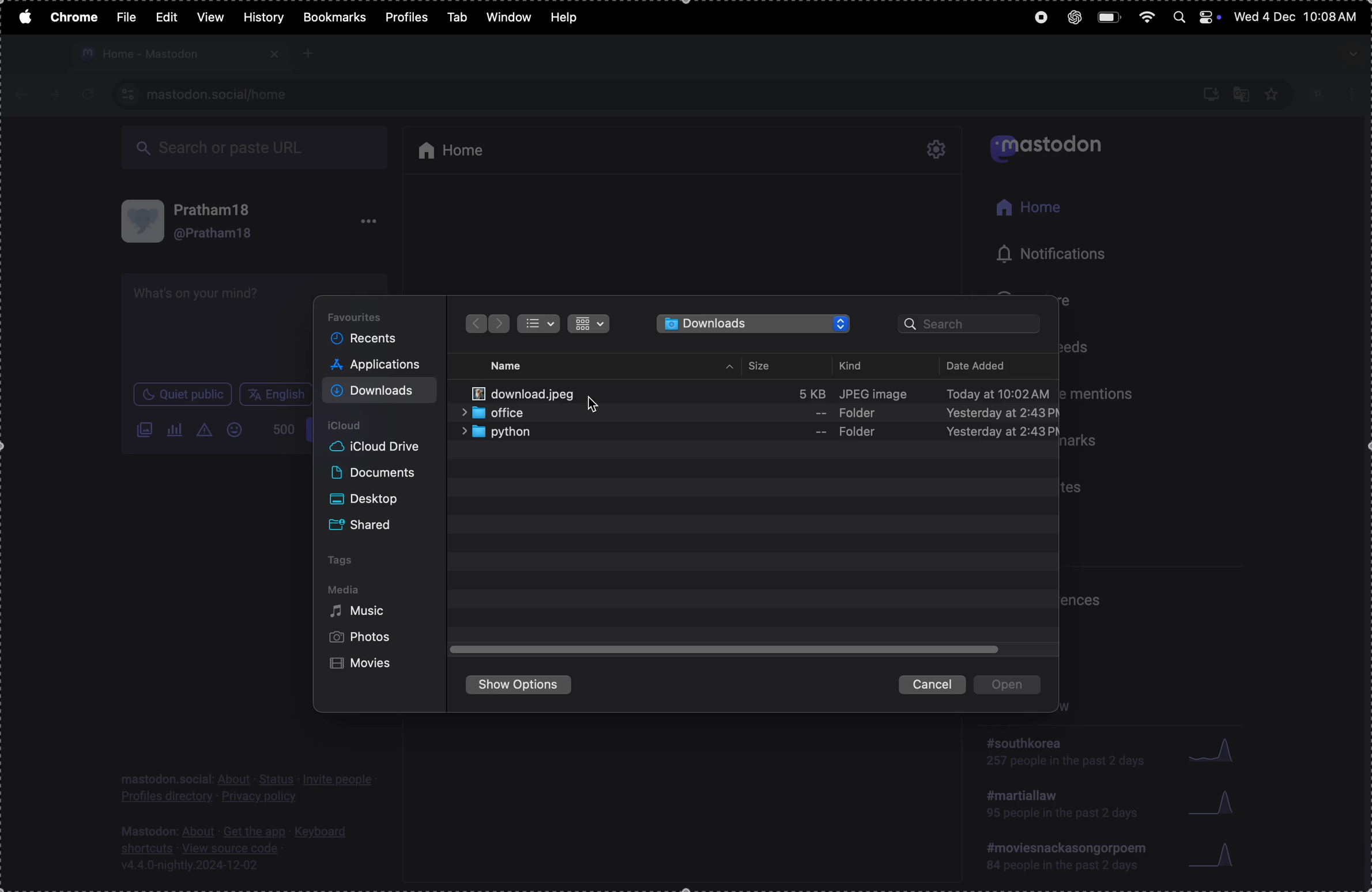 The image size is (1372, 892). I want to click on apple menu, so click(22, 16).